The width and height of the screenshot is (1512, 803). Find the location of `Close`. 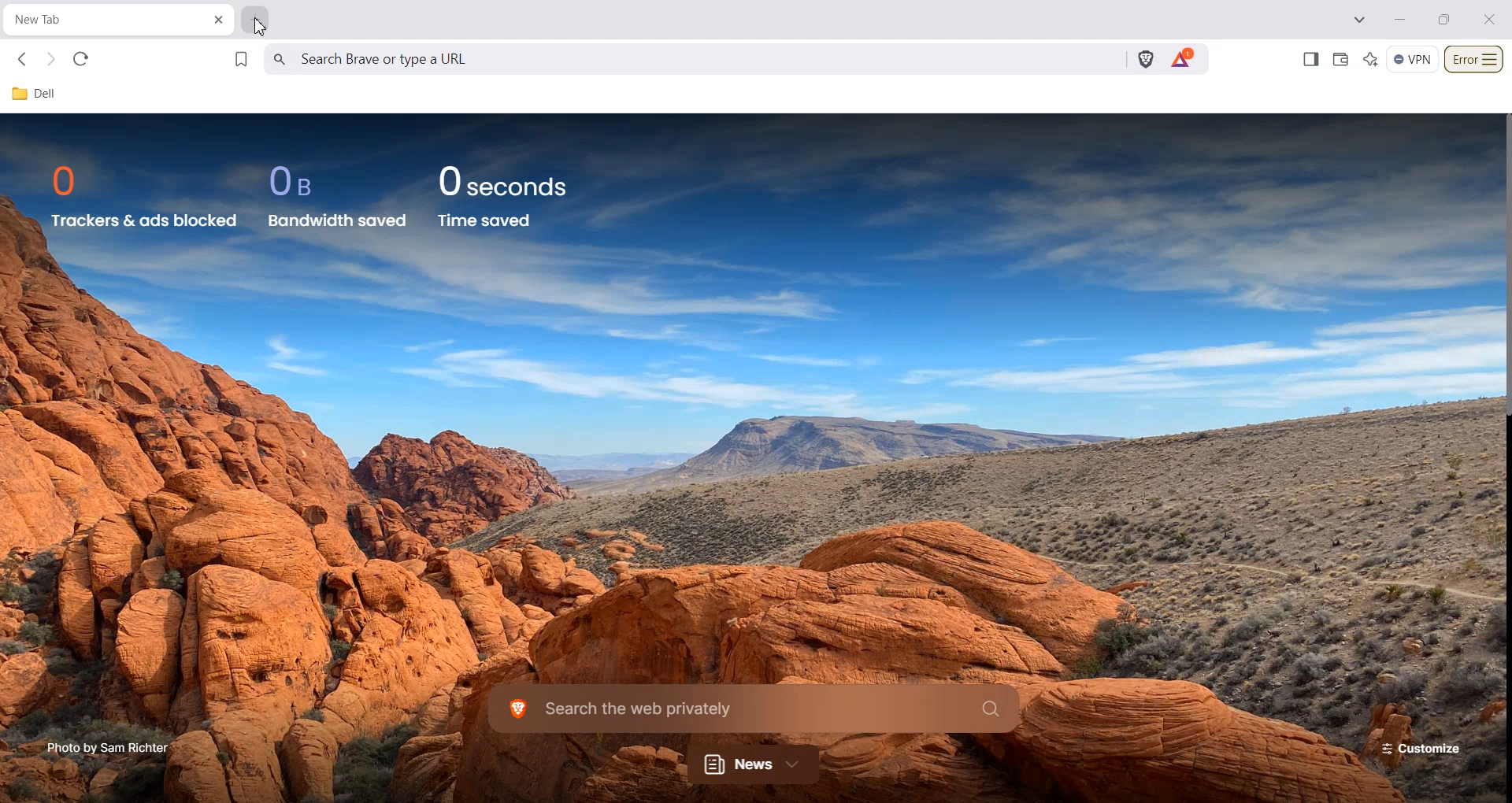

Close is located at coordinates (1490, 19).